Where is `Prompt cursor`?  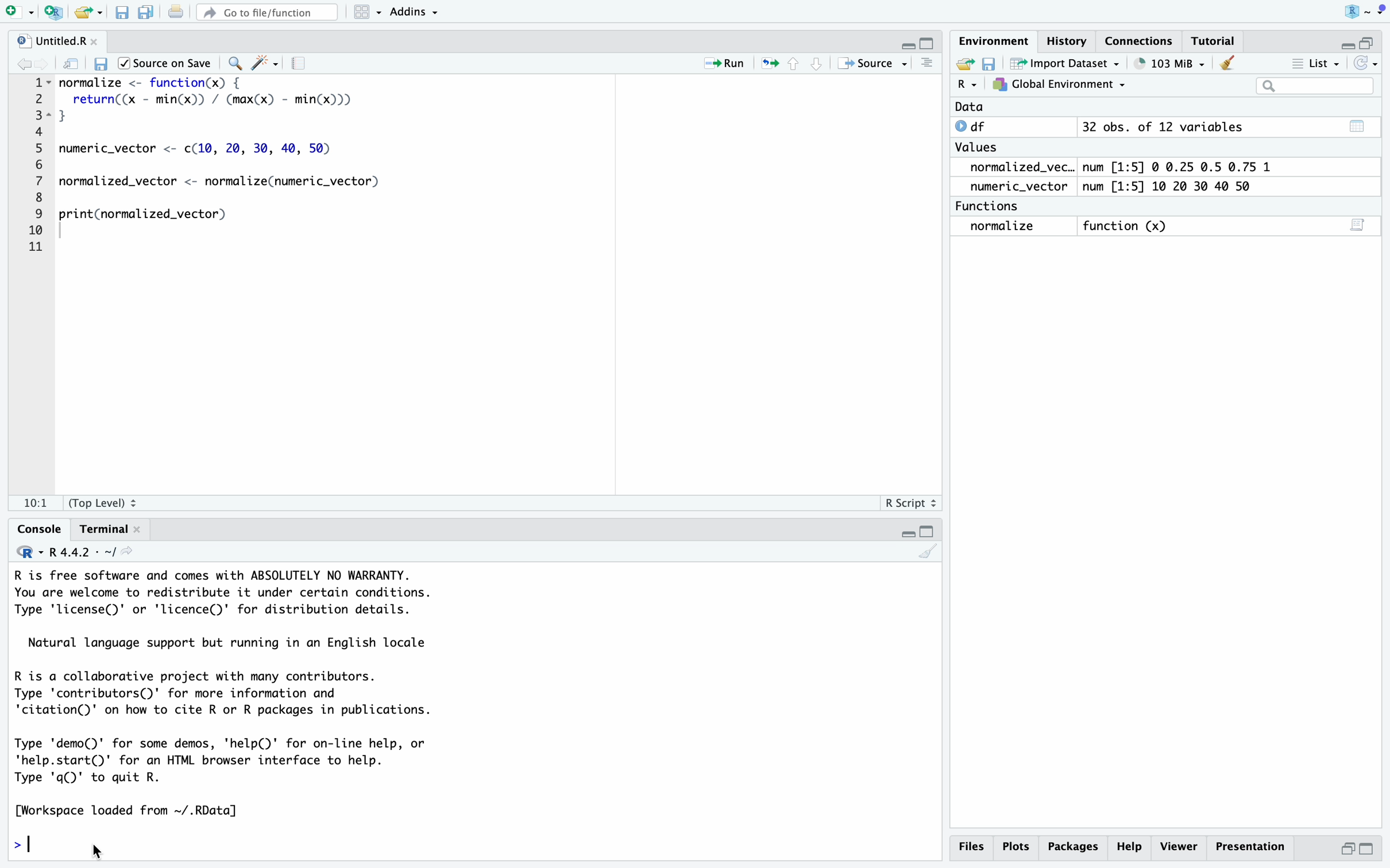
Prompt cursor is located at coordinates (26, 840).